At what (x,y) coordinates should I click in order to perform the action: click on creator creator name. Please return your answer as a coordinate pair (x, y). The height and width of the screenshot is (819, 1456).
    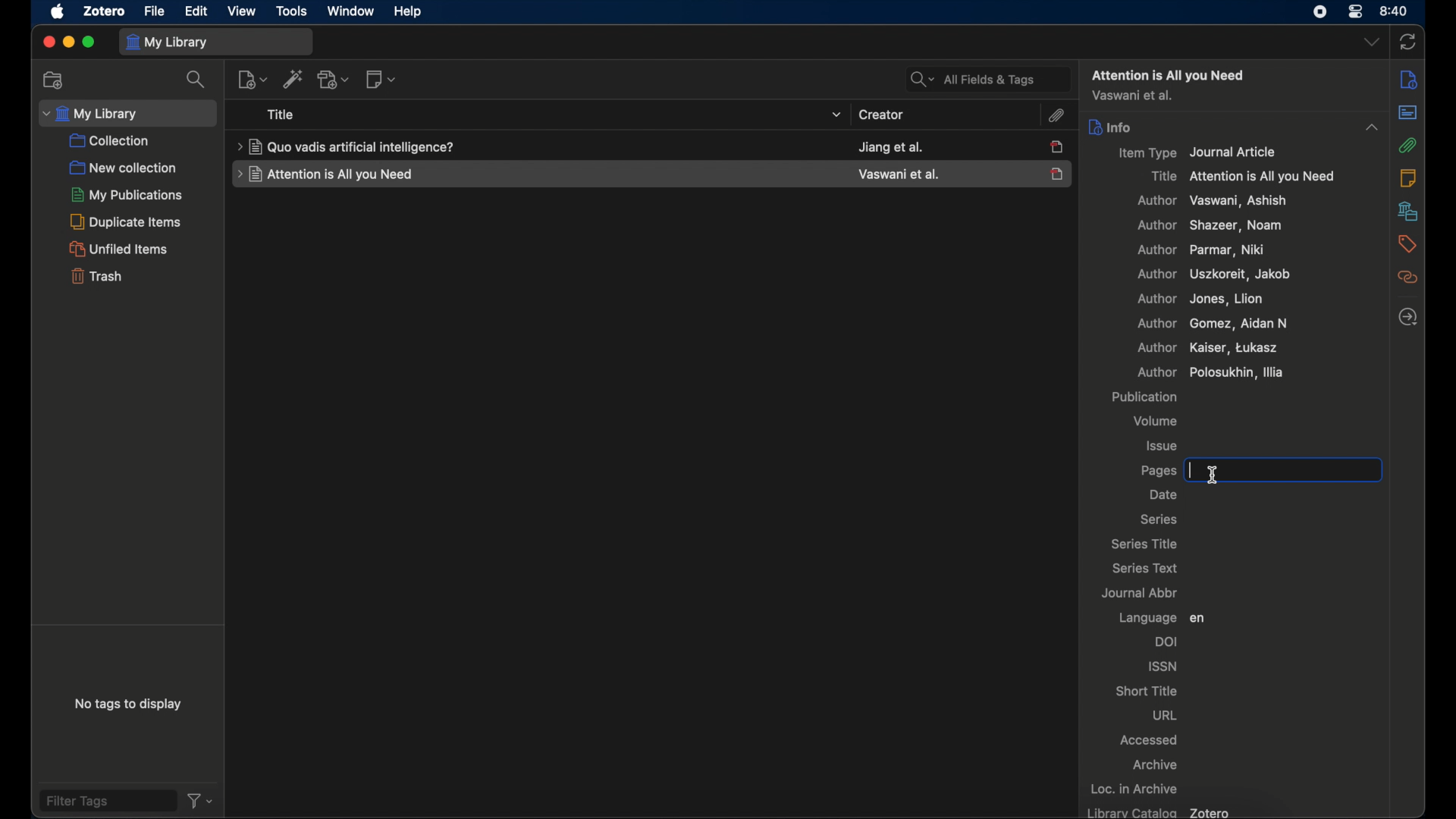
    Looking at the image, I should click on (897, 174).